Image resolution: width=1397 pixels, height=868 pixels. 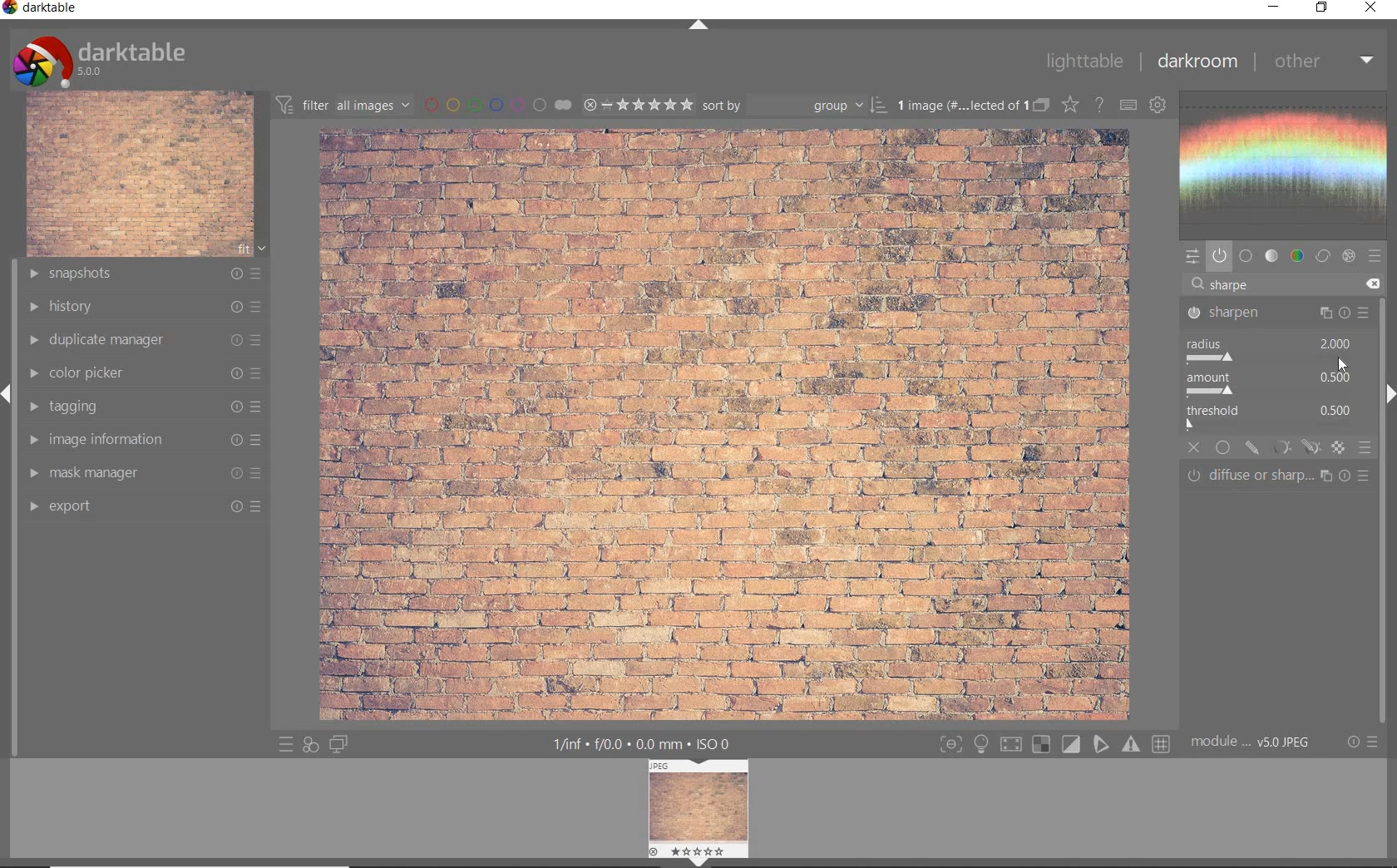 I want to click on enable for online help, so click(x=1098, y=106).